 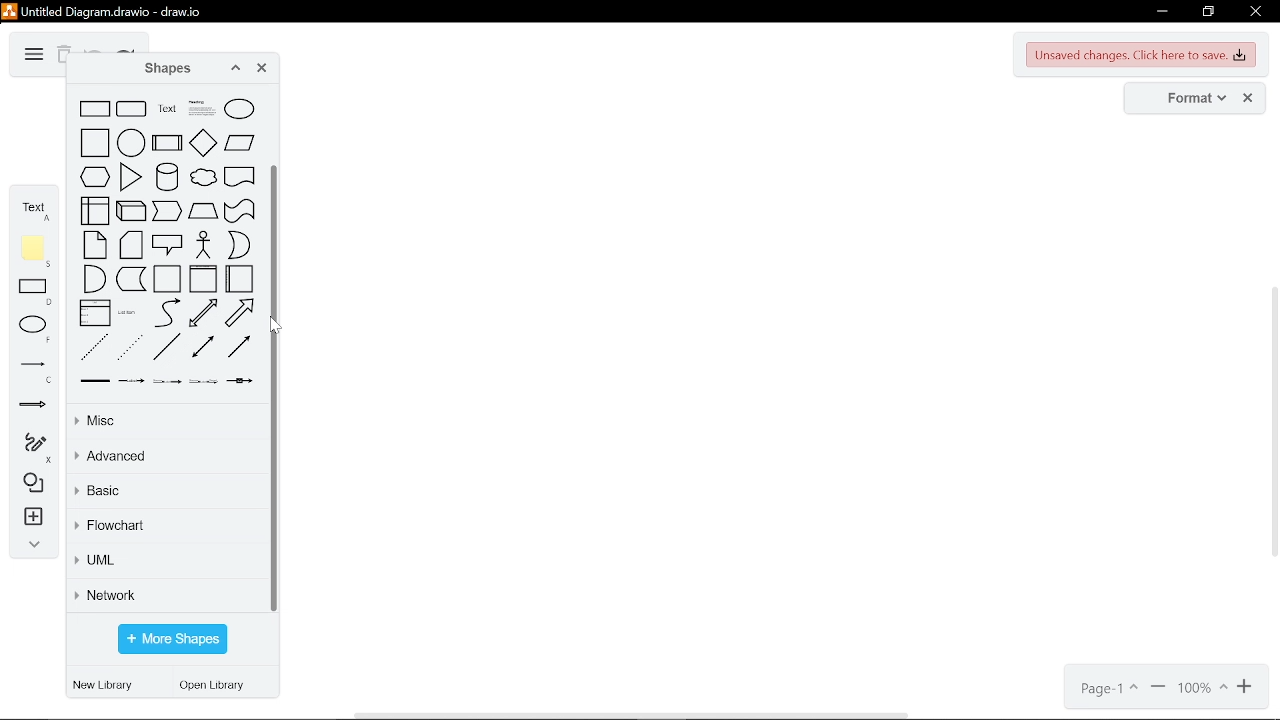 I want to click on close, so click(x=1248, y=99).